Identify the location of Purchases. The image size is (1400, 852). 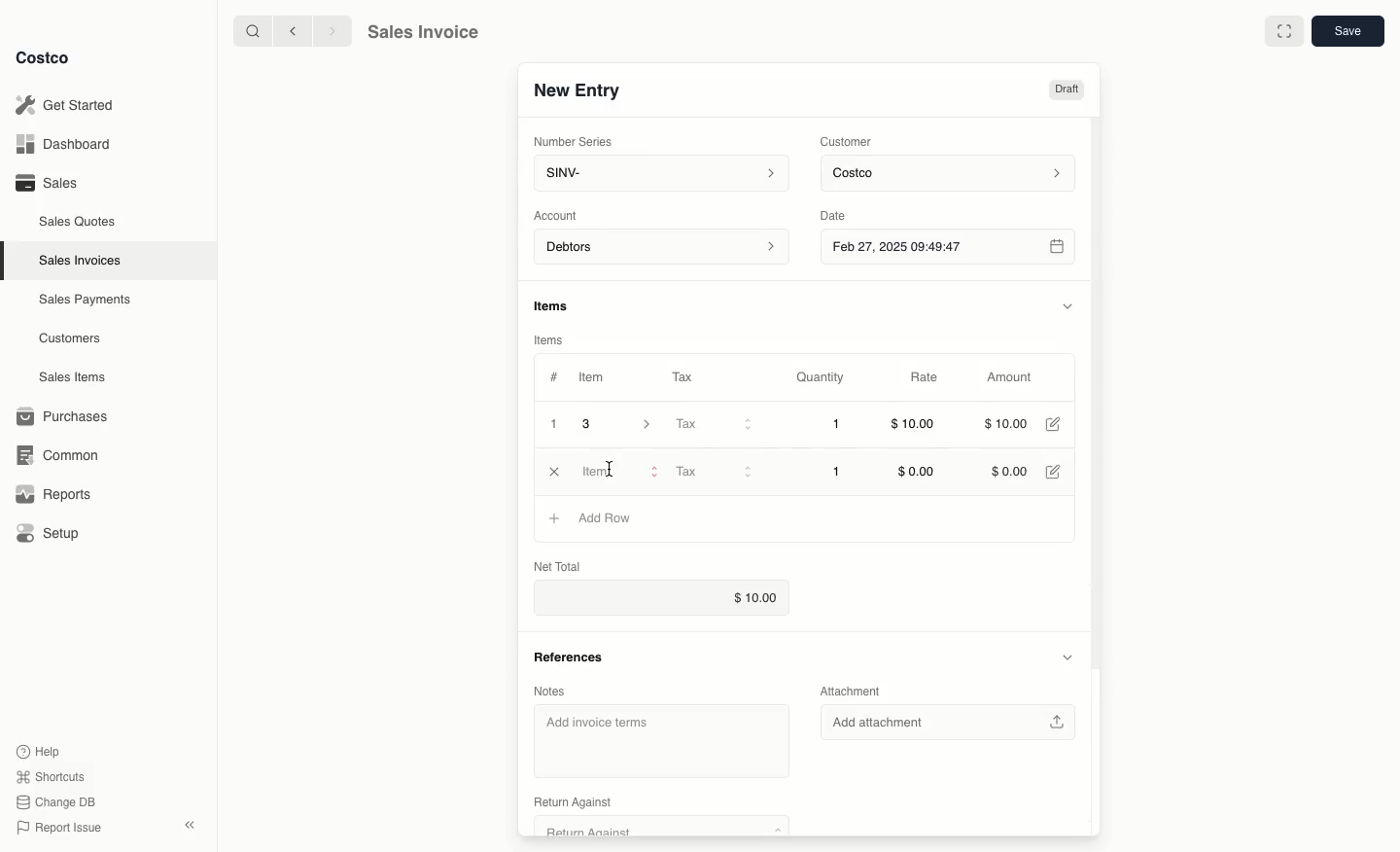
(63, 416).